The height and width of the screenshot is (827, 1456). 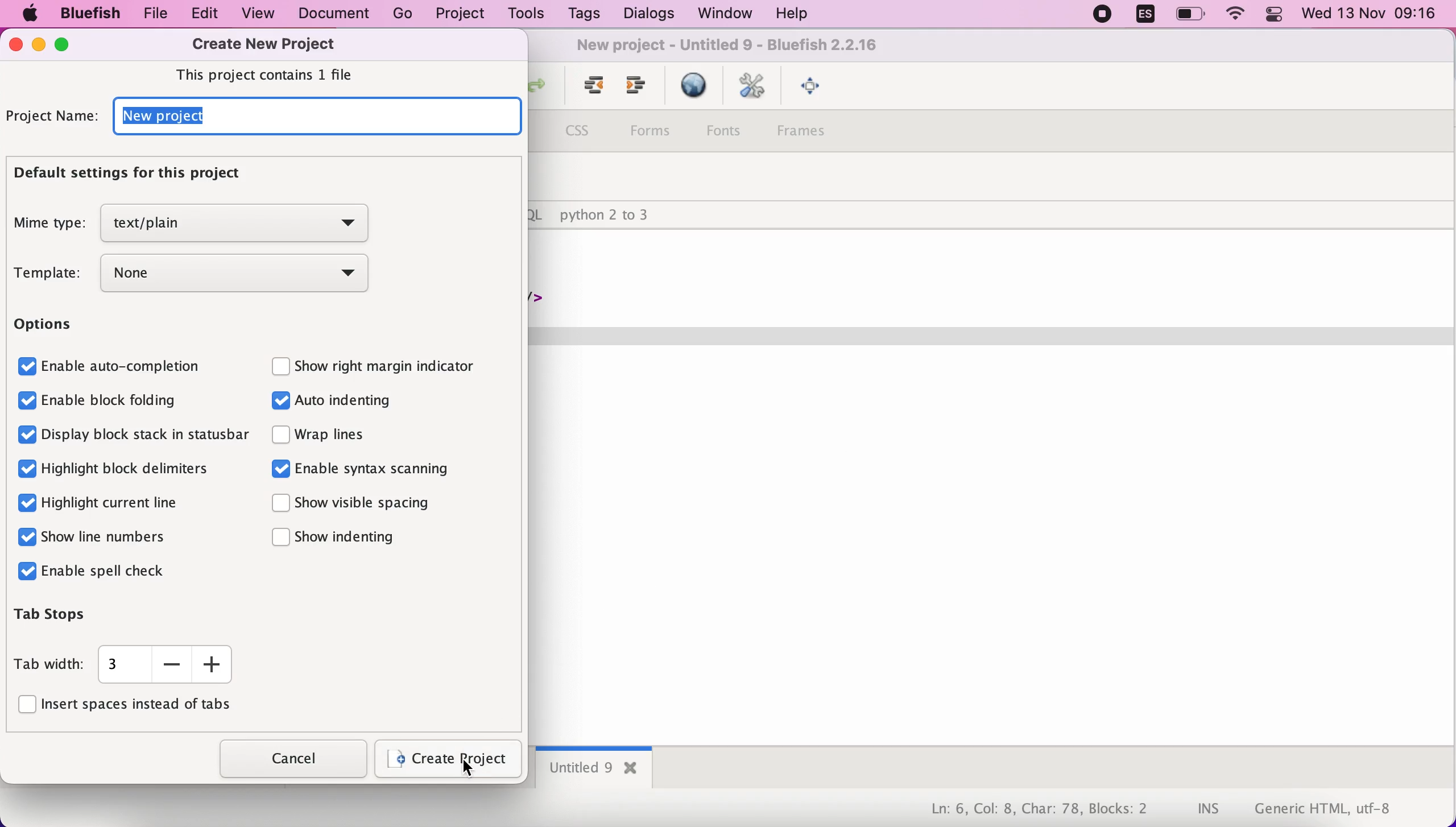 What do you see at coordinates (1341, 808) in the screenshot?
I see `generic html` at bounding box center [1341, 808].